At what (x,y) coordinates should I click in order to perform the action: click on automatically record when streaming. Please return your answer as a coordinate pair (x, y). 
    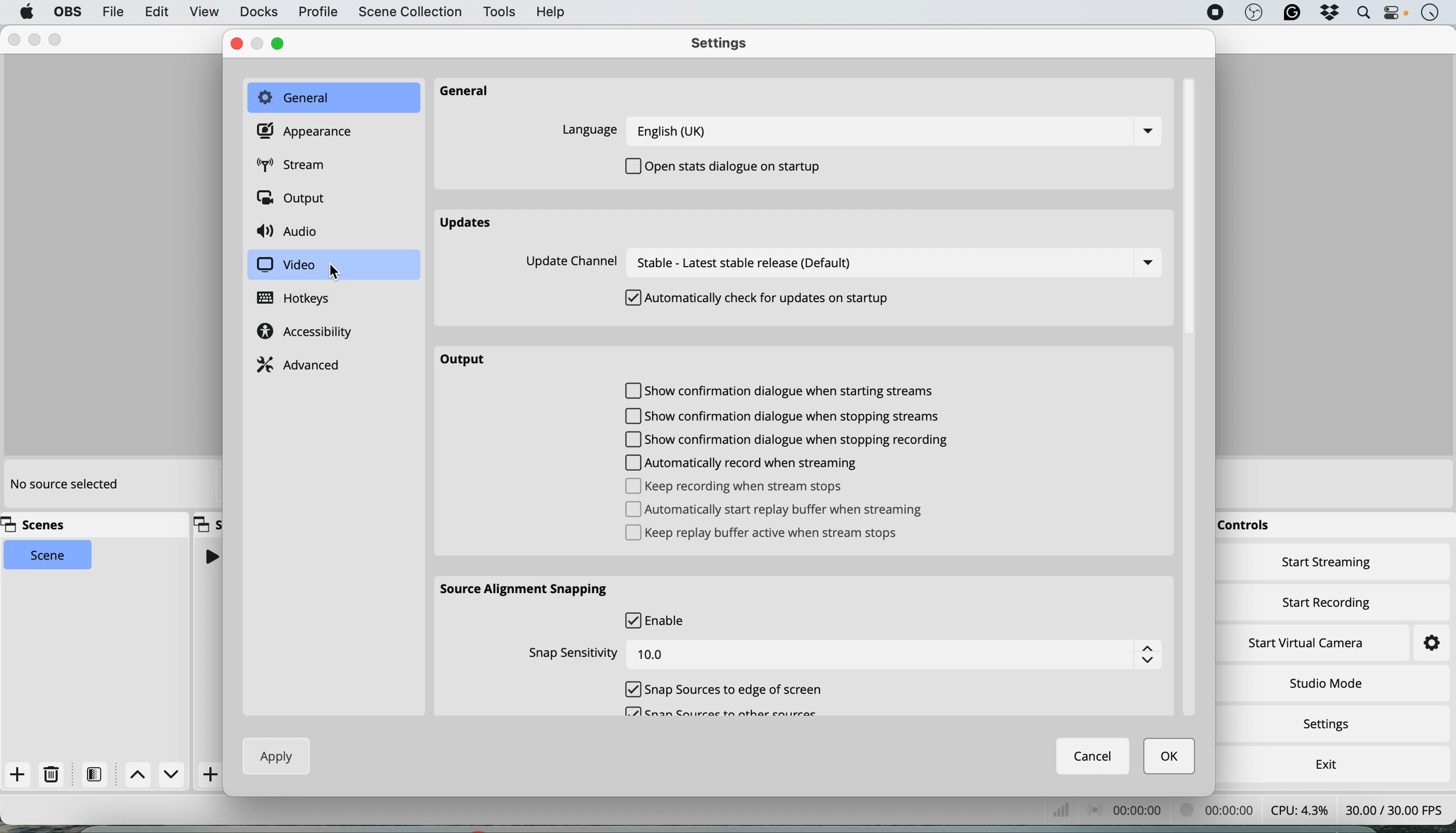
    Looking at the image, I should click on (749, 463).